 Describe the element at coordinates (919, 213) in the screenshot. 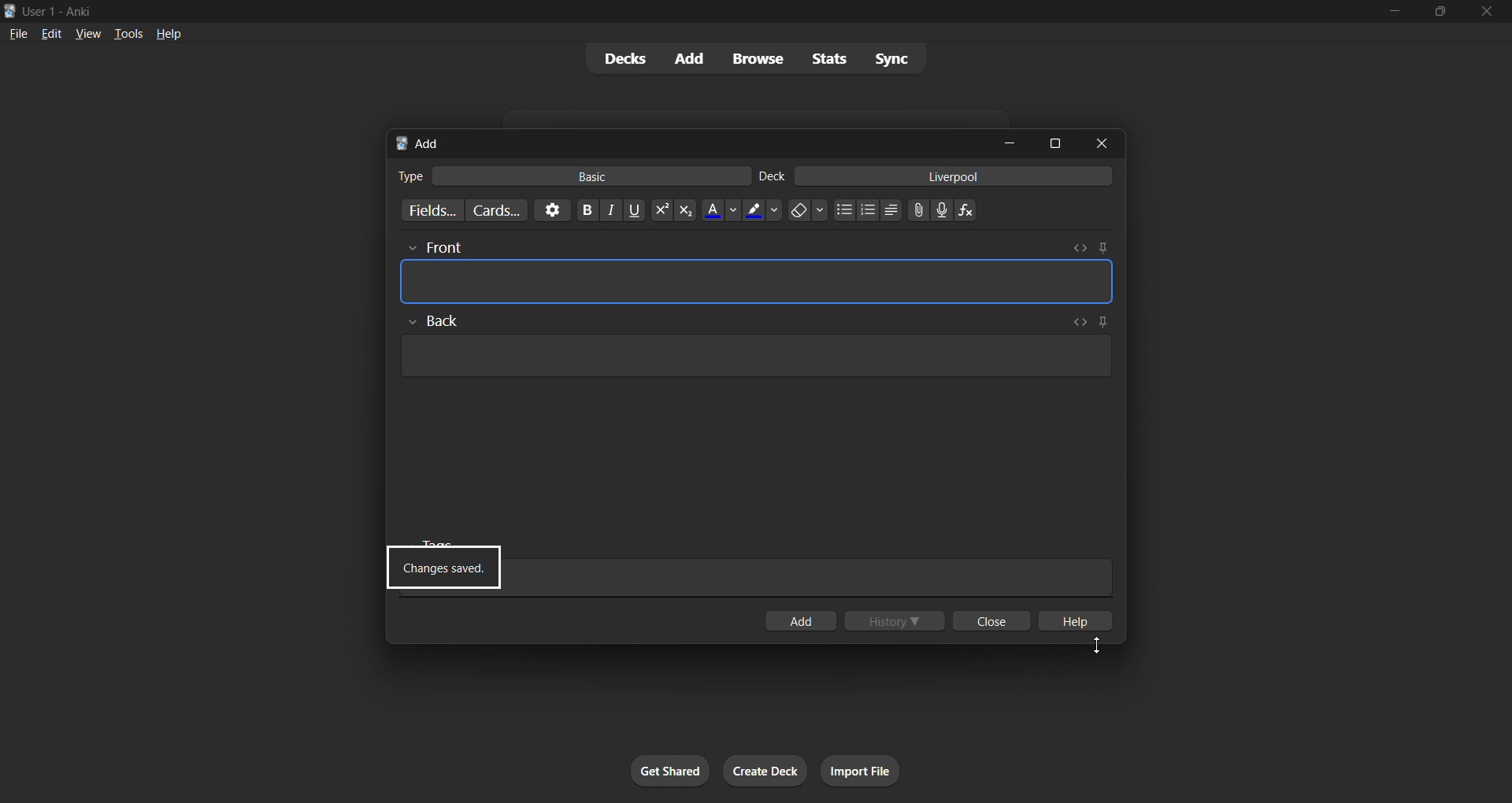

I see `link` at that location.